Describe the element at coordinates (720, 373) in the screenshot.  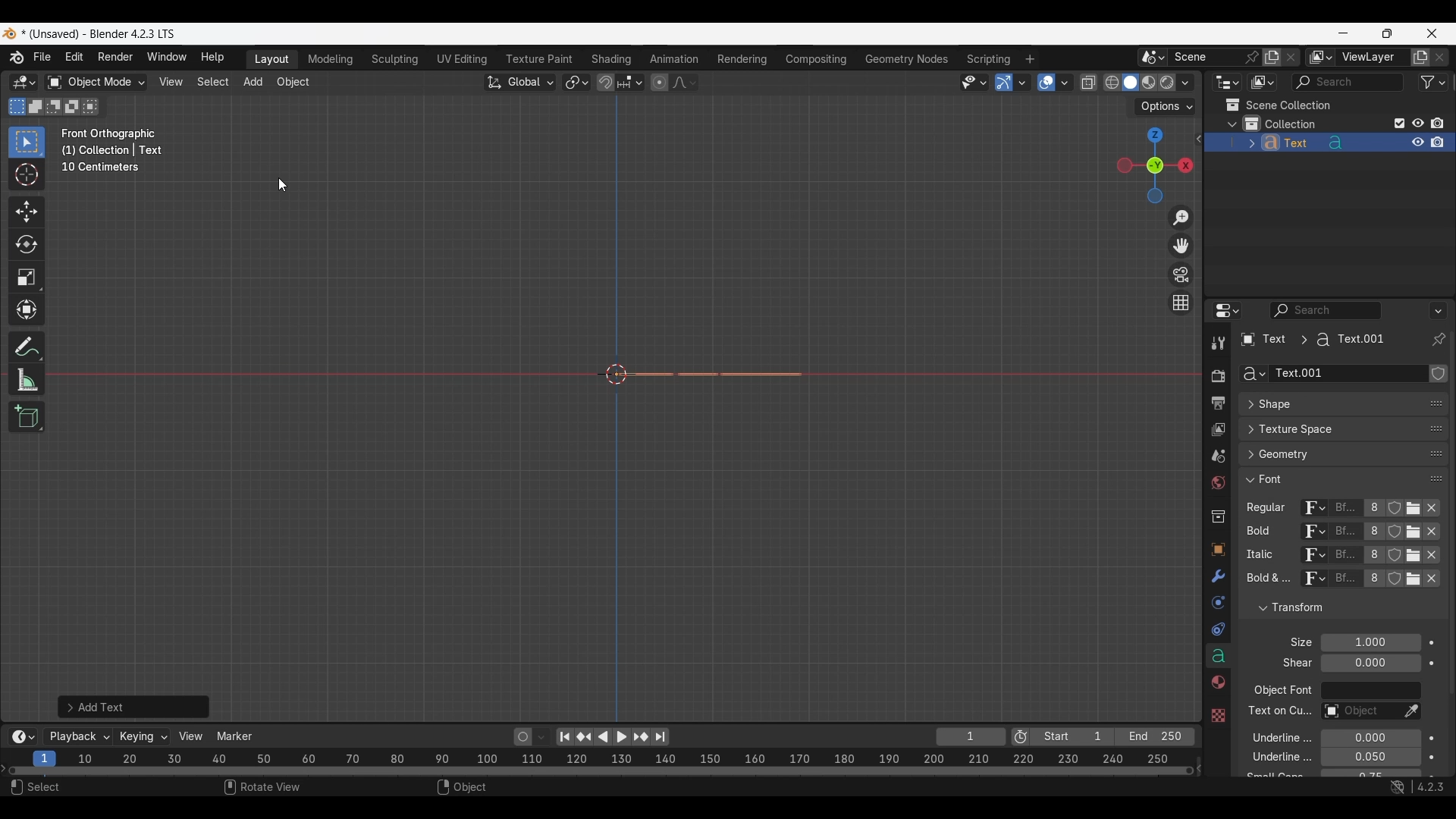
I see `Text object` at that location.